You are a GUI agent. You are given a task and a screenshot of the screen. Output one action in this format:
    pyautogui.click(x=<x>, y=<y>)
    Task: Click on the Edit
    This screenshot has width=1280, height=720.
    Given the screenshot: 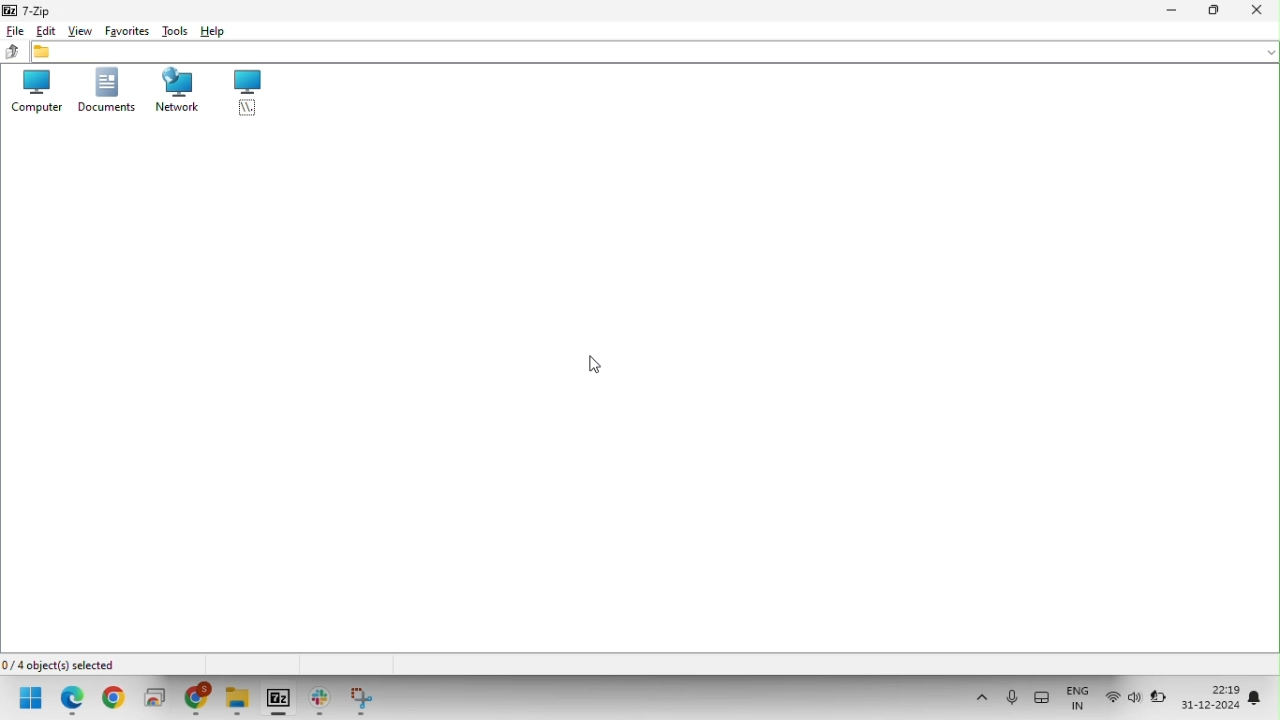 What is the action you would take?
    pyautogui.click(x=46, y=30)
    